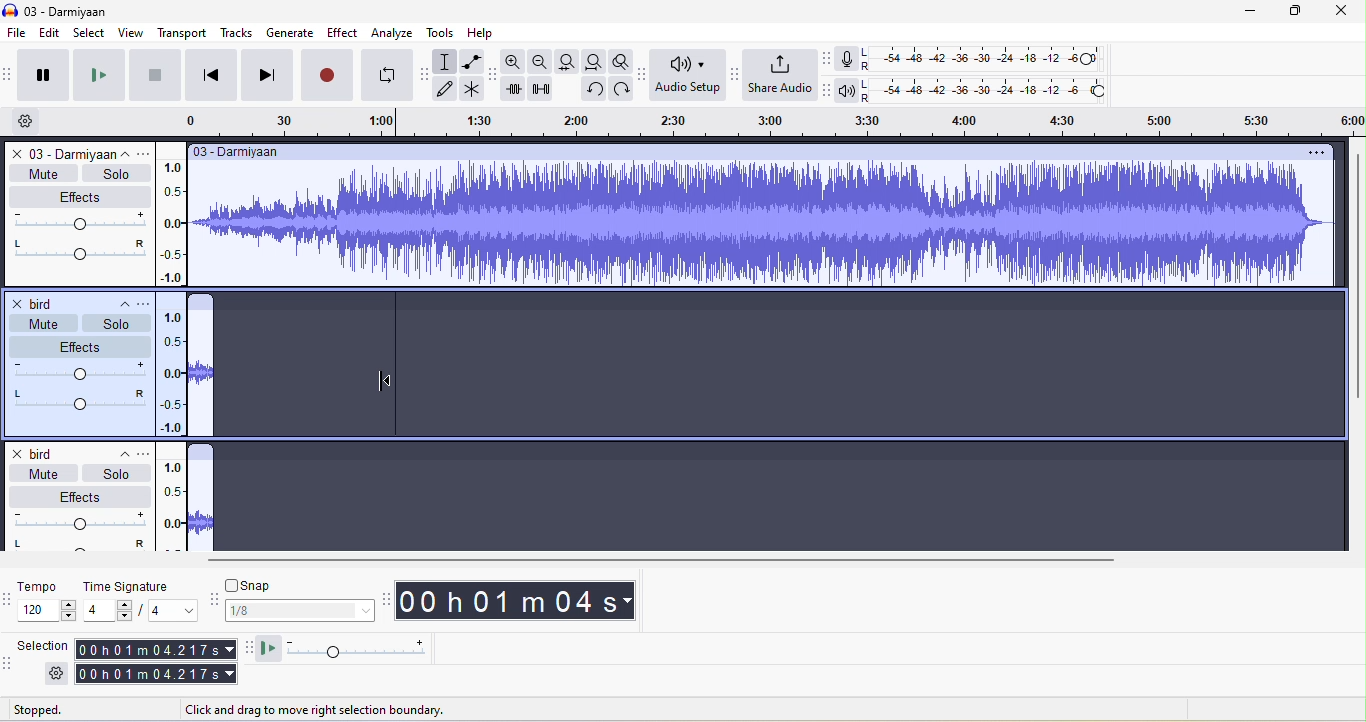  Describe the element at coordinates (116, 473) in the screenshot. I see `solo` at that location.